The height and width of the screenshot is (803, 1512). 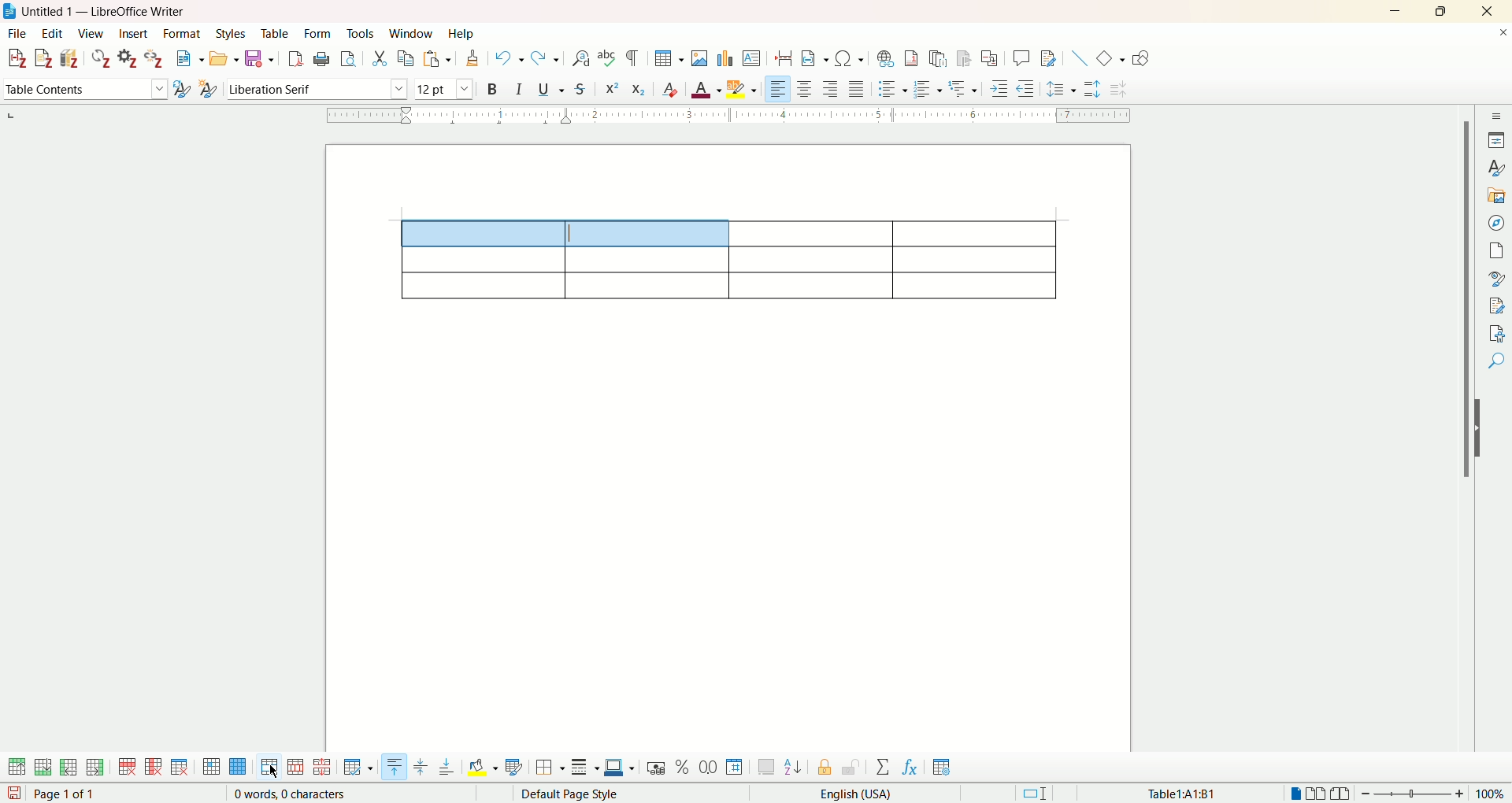 I want to click on hide, so click(x=1477, y=442).